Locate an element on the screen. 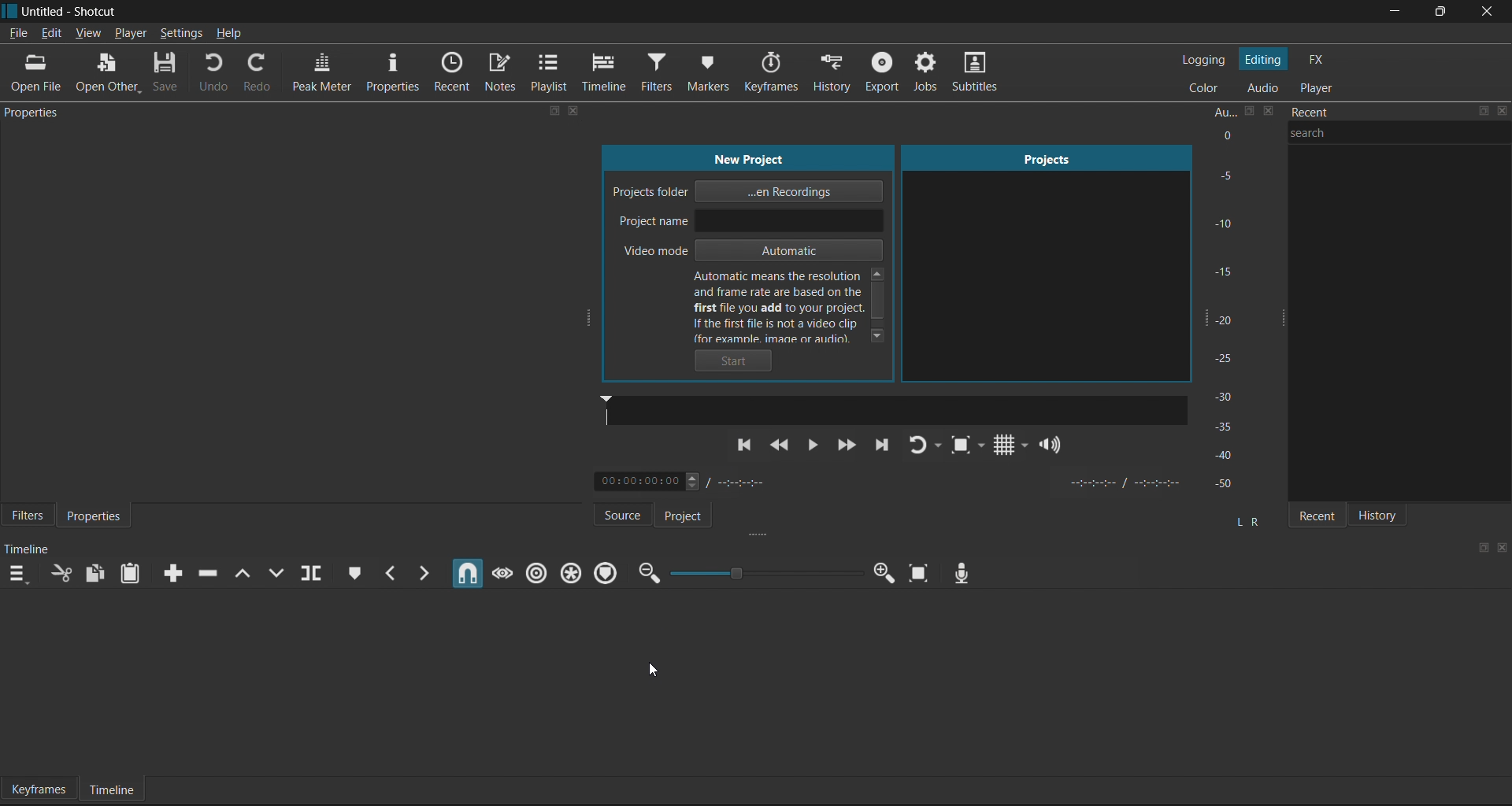 Image resolution: width=1512 pixels, height=806 pixels. Redo is located at coordinates (260, 75).